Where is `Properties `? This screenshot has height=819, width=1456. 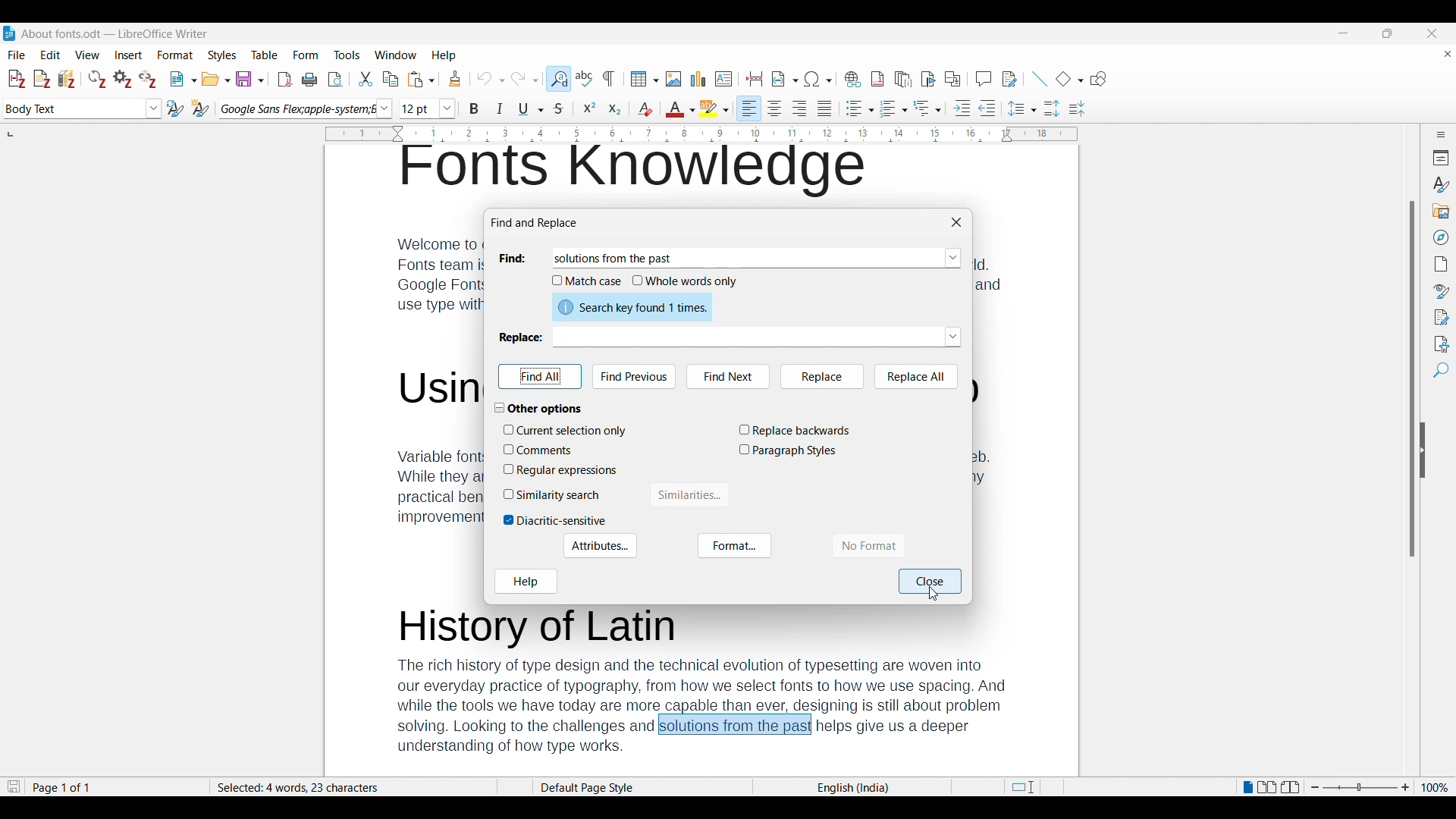 Properties  is located at coordinates (1439, 158).